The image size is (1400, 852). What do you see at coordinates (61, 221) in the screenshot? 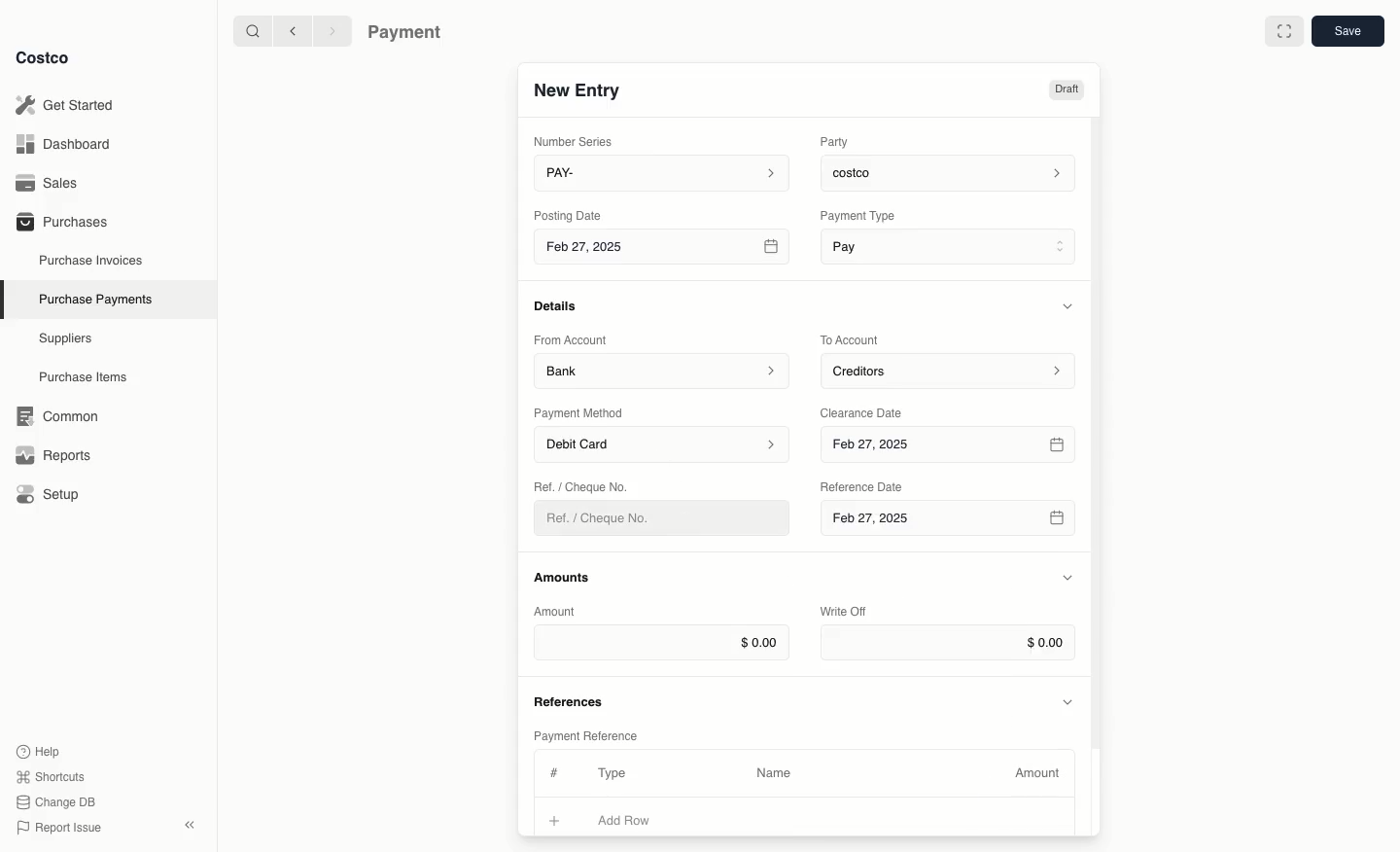
I see `Purchases` at bounding box center [61, 221].